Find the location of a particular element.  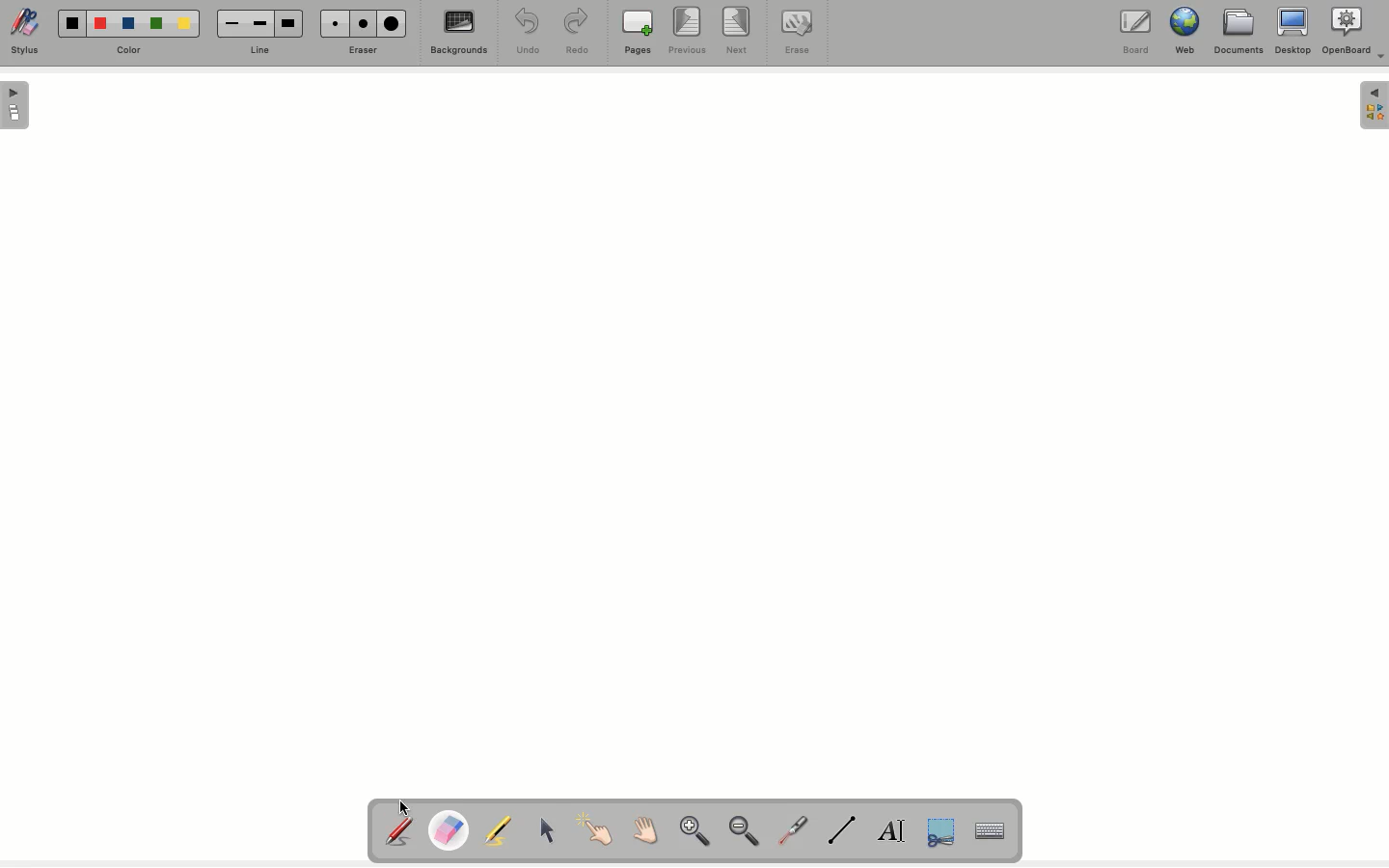

Medium is located at coordinates (259, 24).